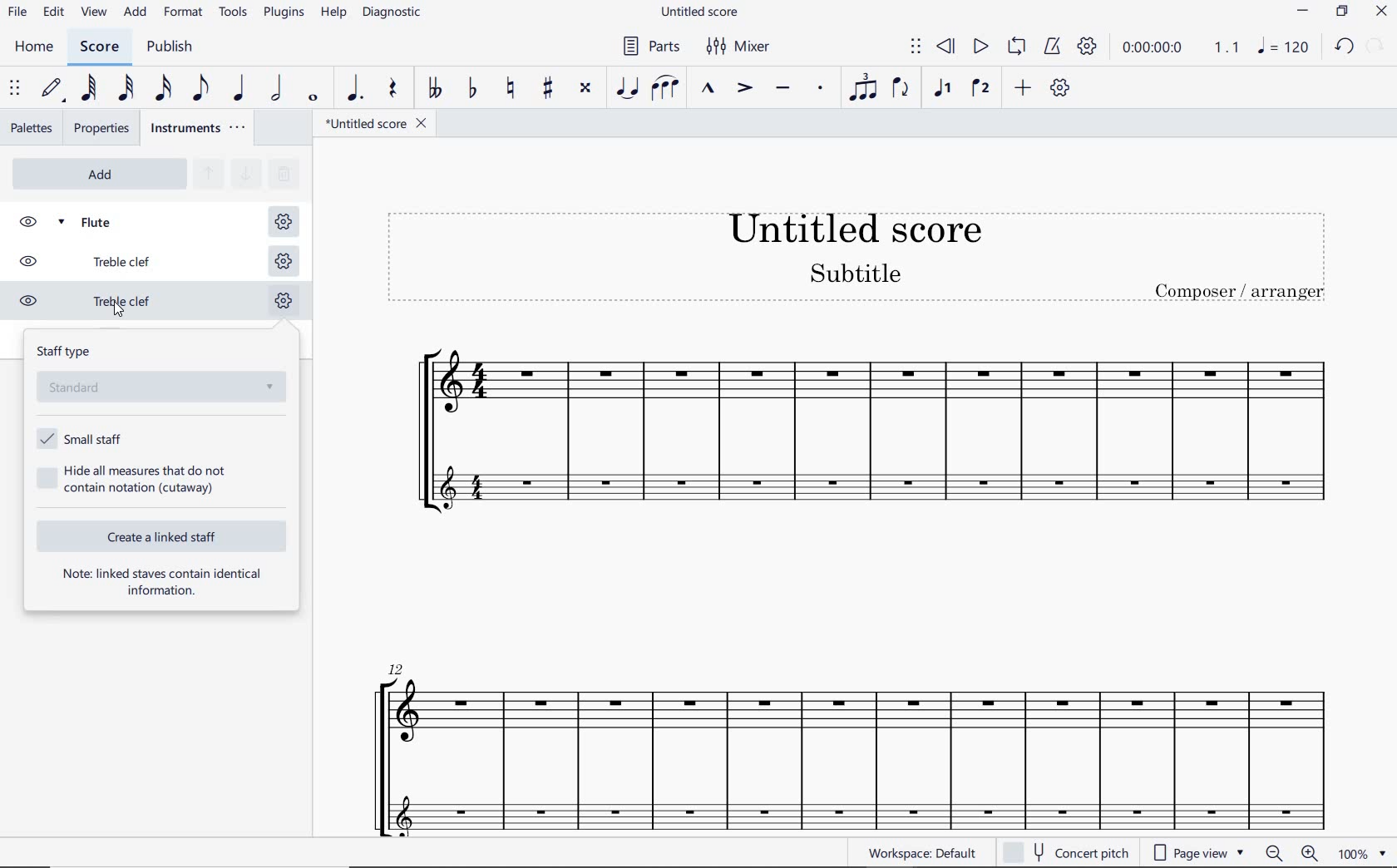  What do you see at coordinates (18, 16) in the screenshot?
I see `file` at bounding box center [18, 16].